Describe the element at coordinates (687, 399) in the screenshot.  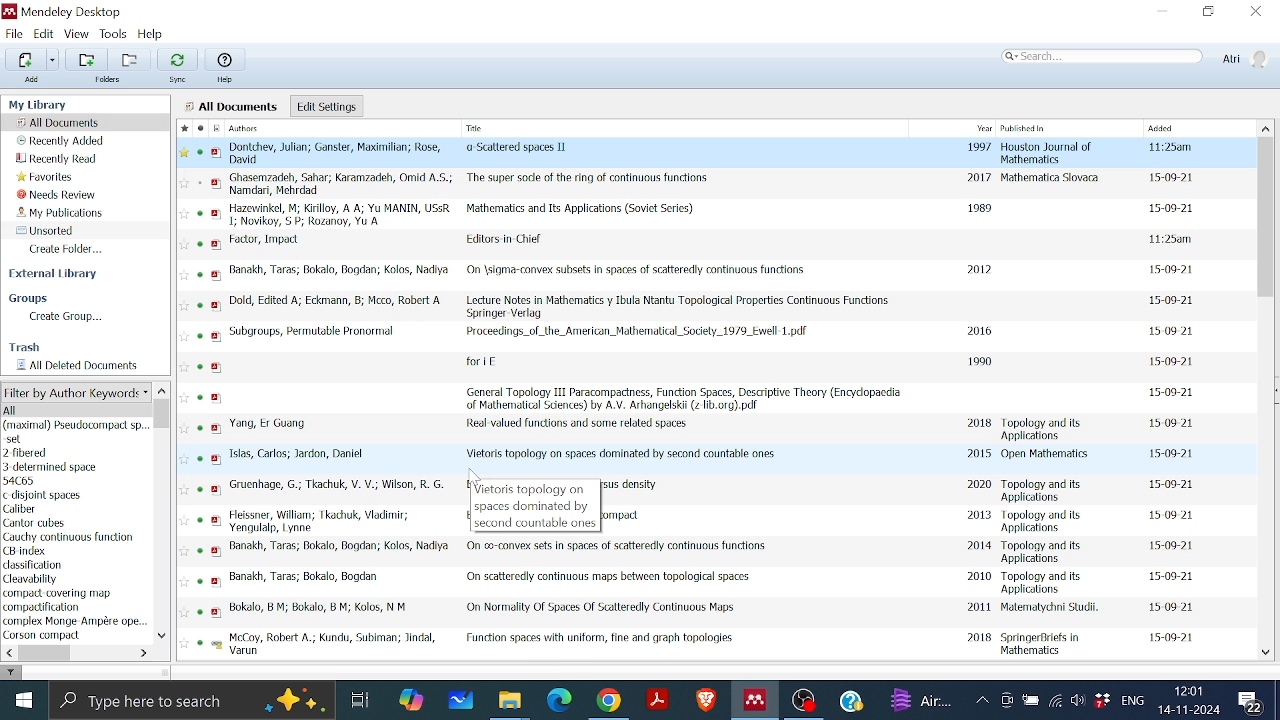
I see `Title` at that location.